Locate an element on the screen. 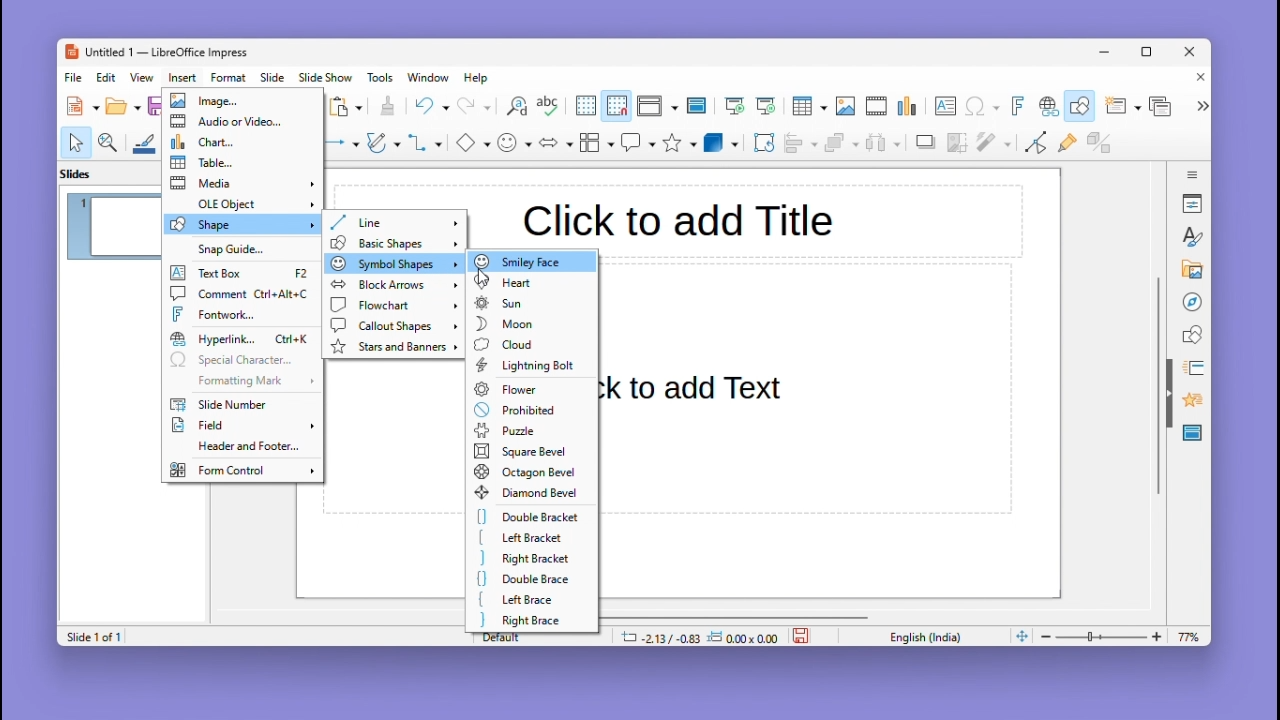  View is located at coordinates (145, 77).